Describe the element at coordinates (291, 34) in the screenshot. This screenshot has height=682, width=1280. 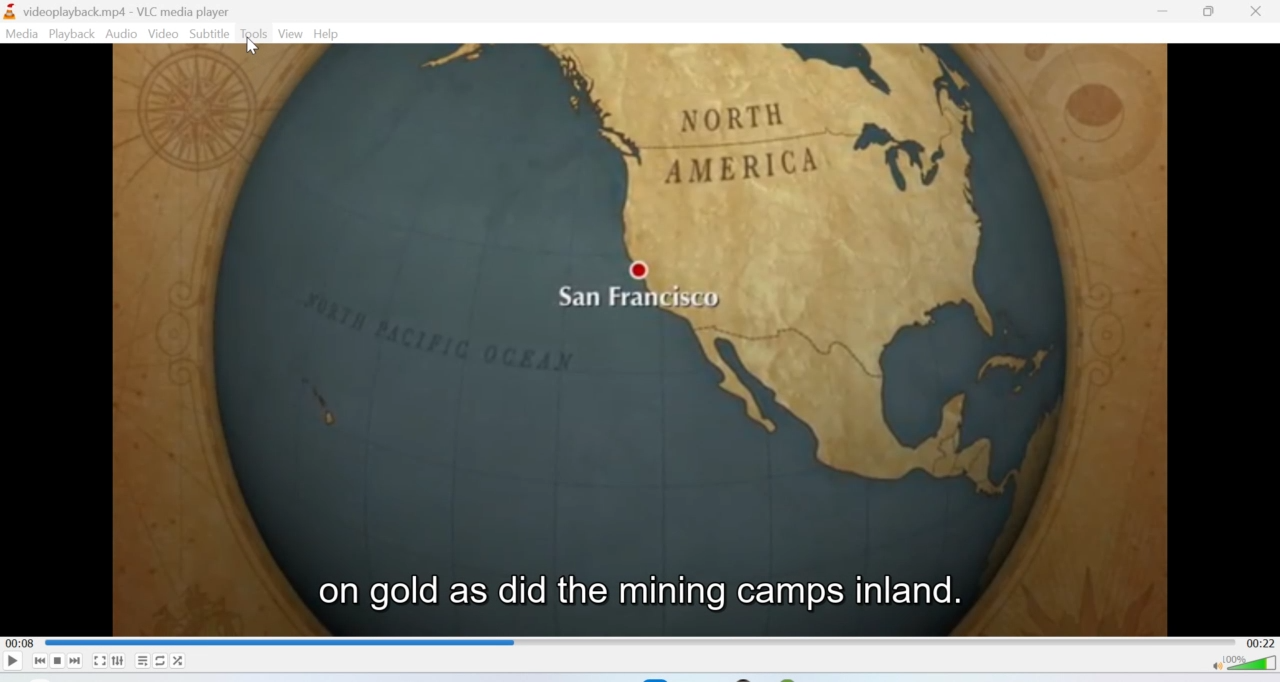
I see `View` at that location.